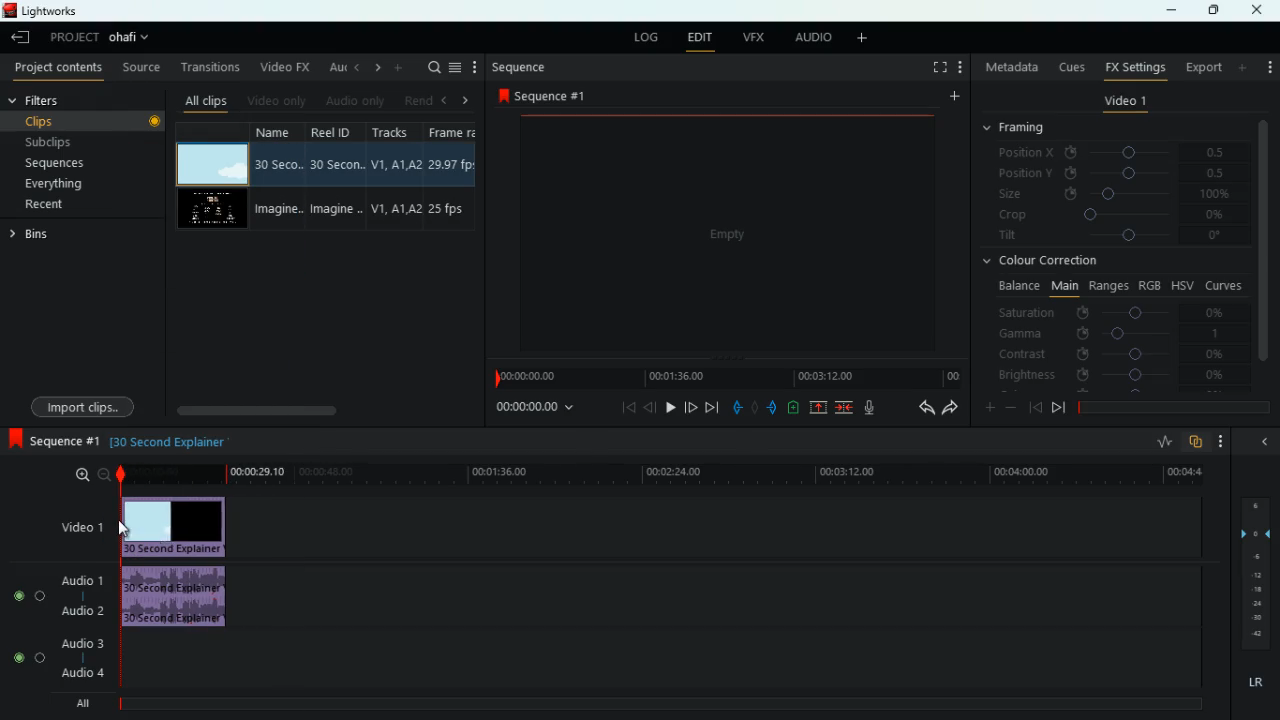 This screenshot has width=1280, height=720. What do you see at coordinates (81, 610) in the screenshot?
I see `audio 2` at bounding box center [81, 610].